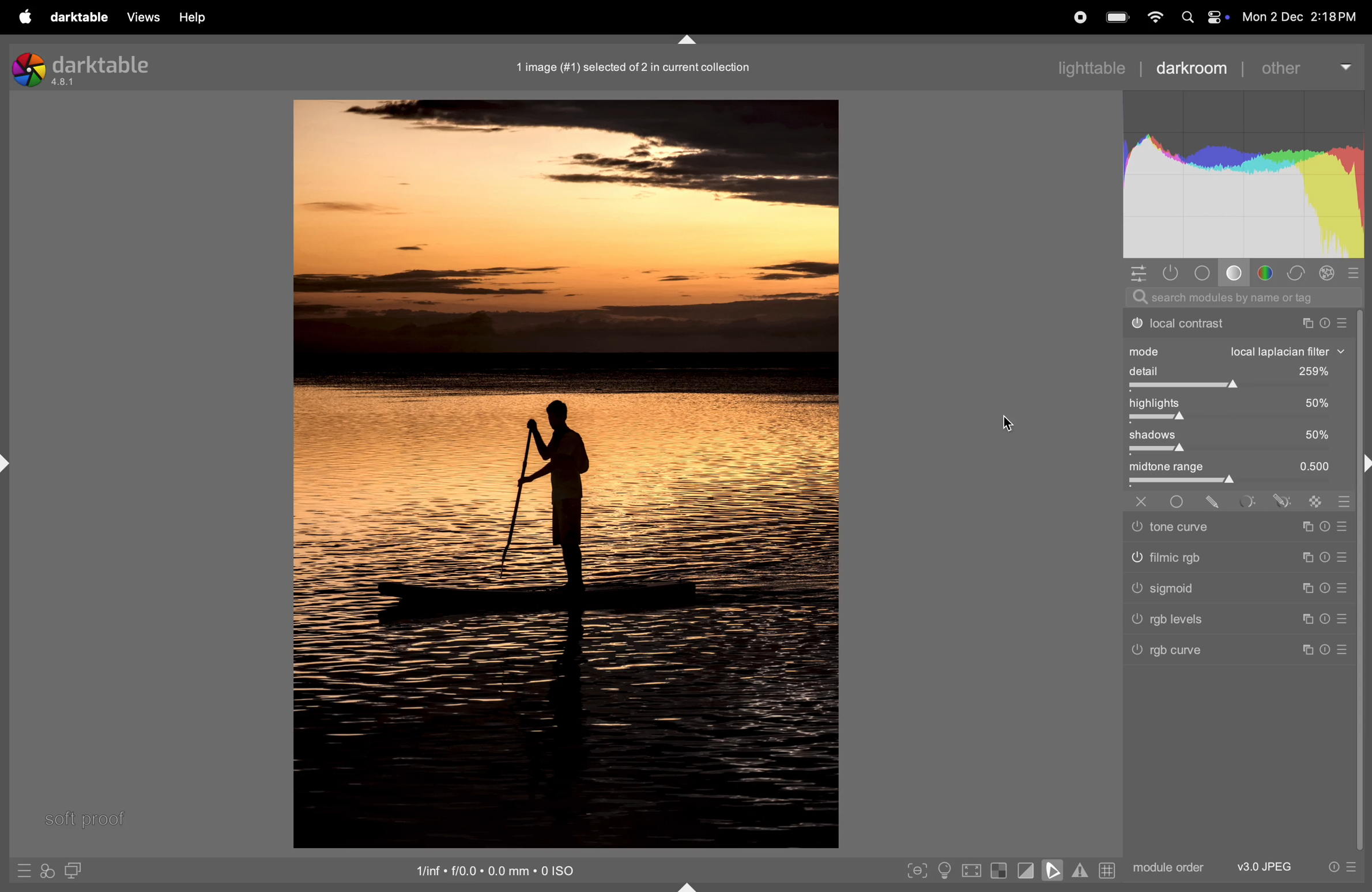  I want to click on sign, so click(1344, 504).